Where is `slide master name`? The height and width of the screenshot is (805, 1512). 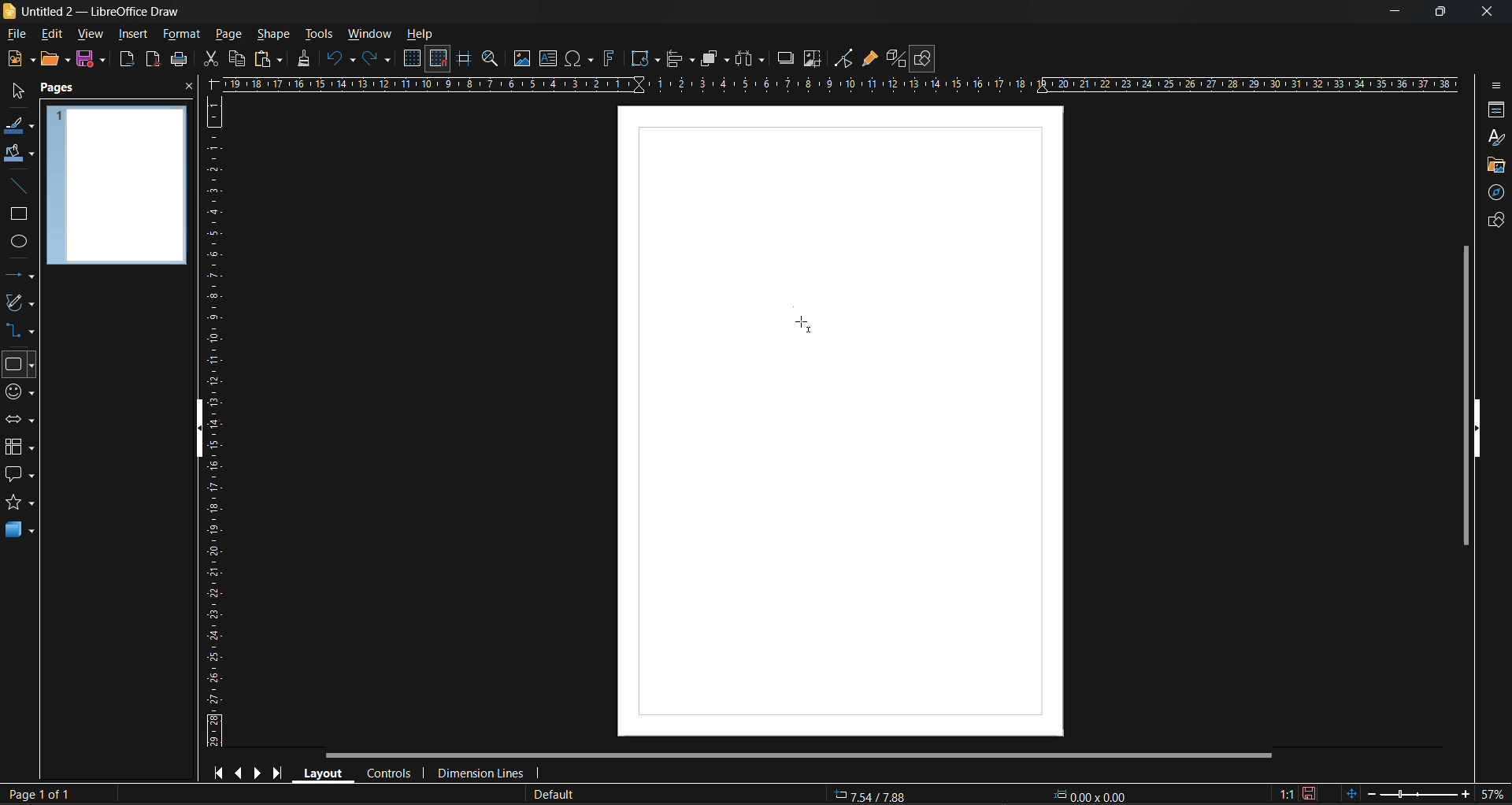 slide master name is located at coordinates (550, 796).